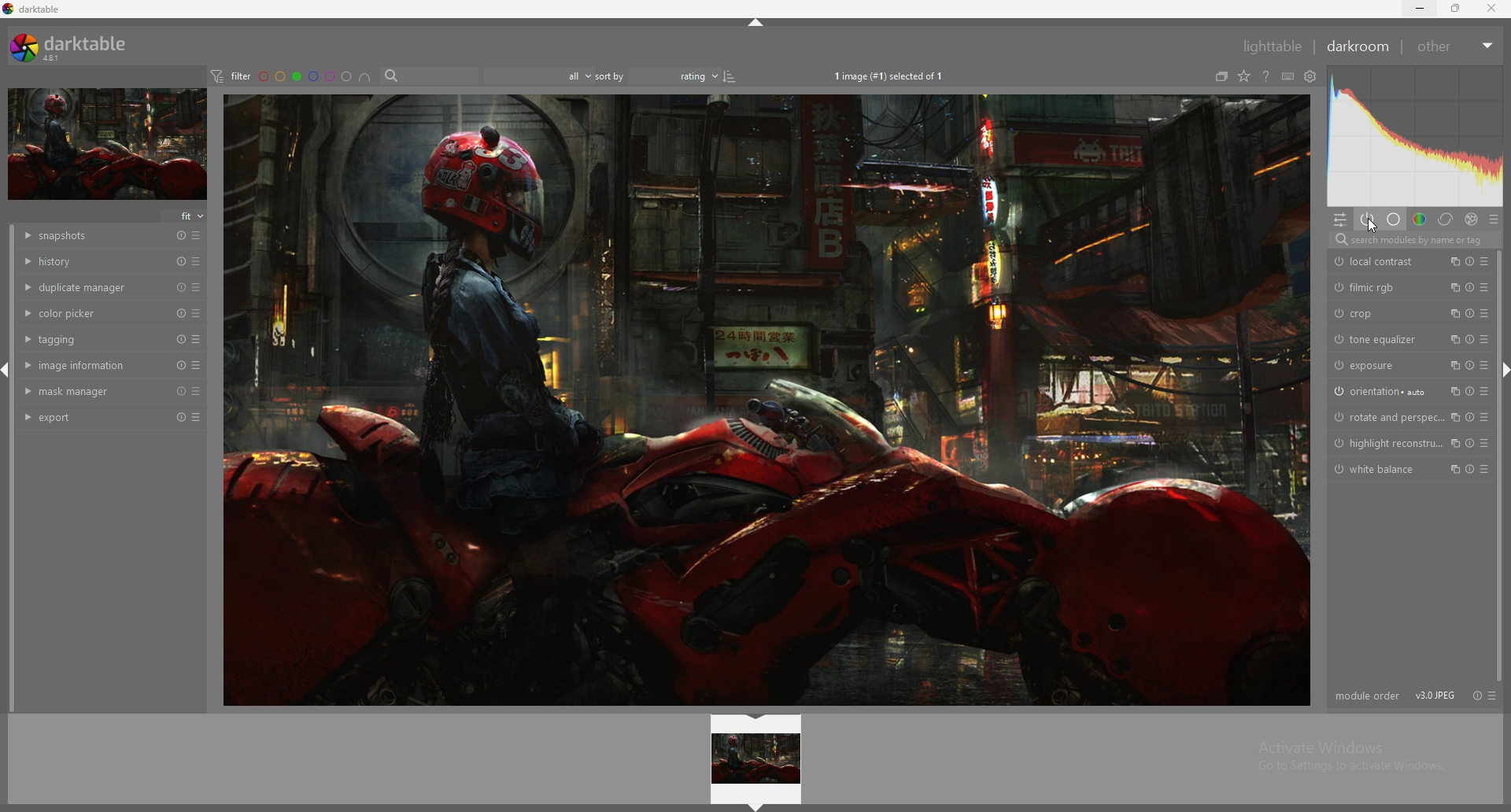 The image size is (1511, 812). Describe the element at coordinates (1469, 418) in the screenshot. I see `reset` at that location.